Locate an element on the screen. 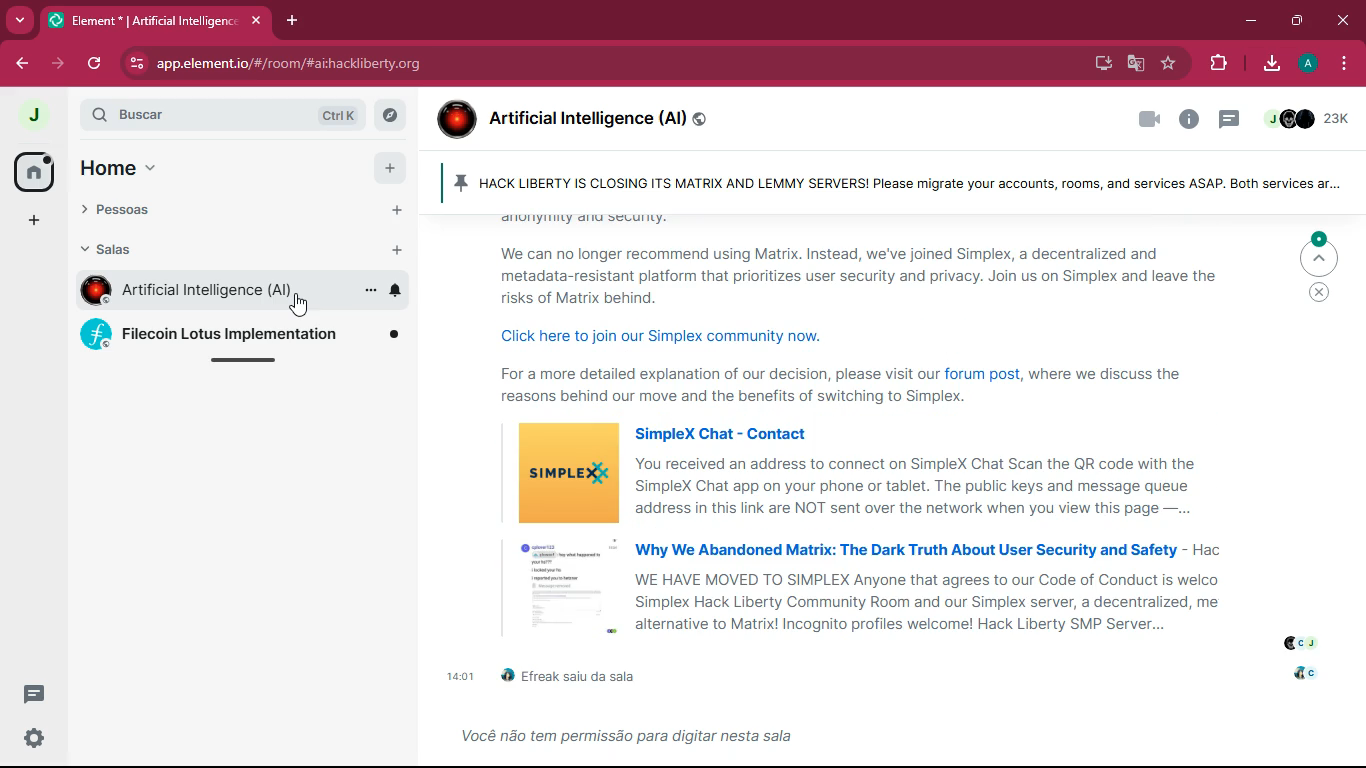 The width and height of the screenshot is (1366, 768). up is located at coordinates (1318, 254).